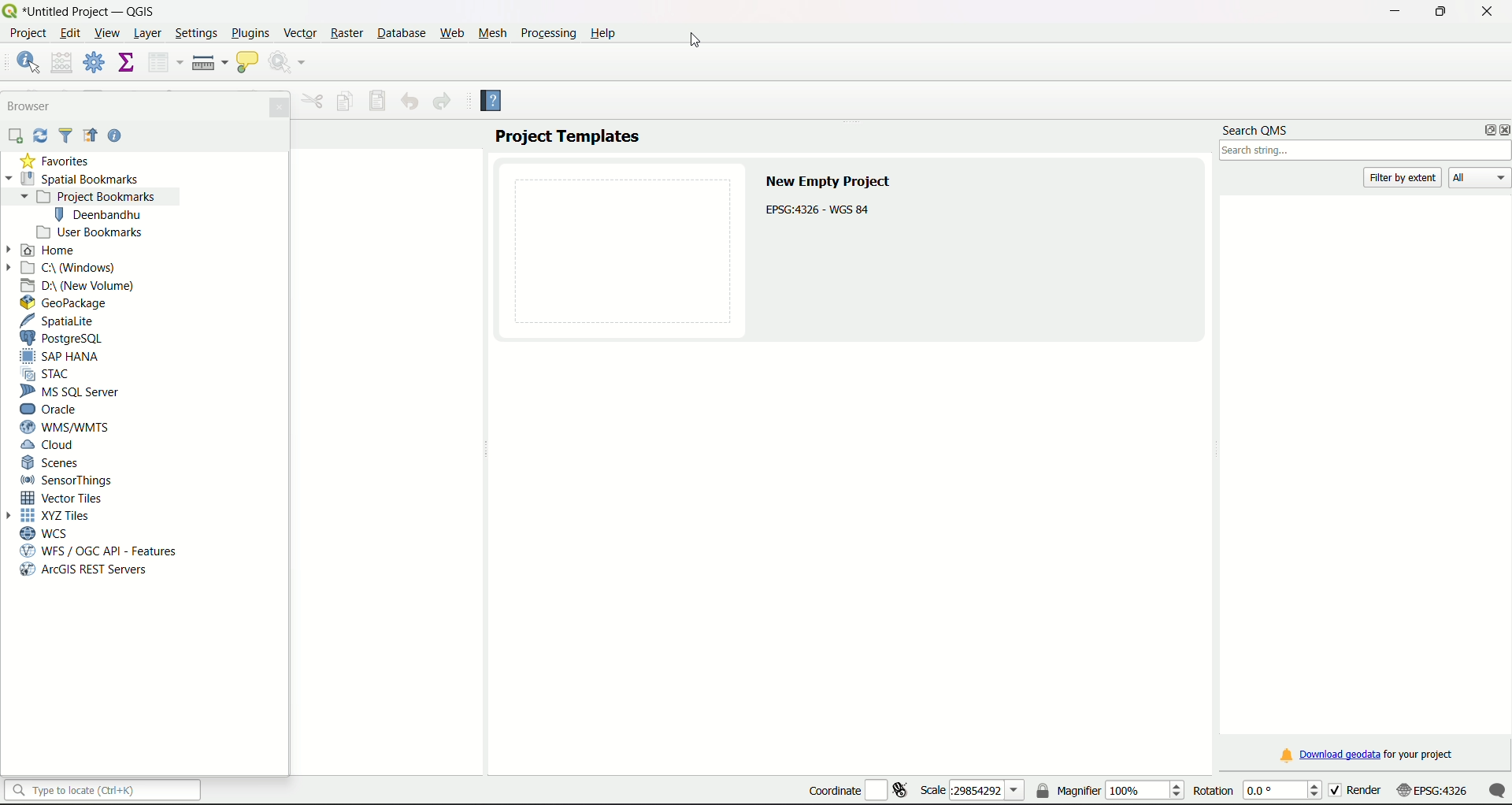 This screenshot has width=1512, height=805. I want to click on open attribute table, so click(163, 63).